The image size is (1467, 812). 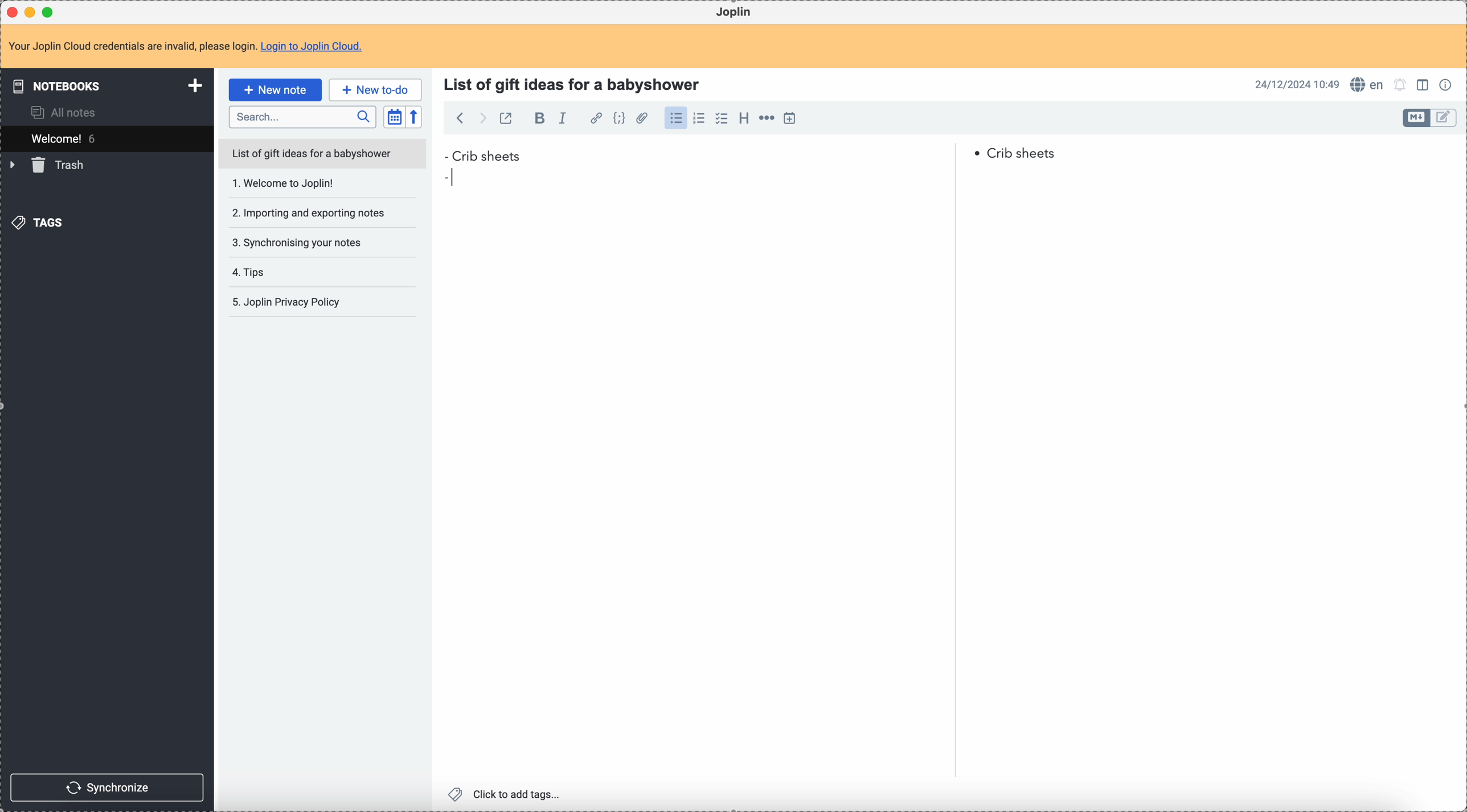 I want to click on bullet point, so click(x=450, y=176).